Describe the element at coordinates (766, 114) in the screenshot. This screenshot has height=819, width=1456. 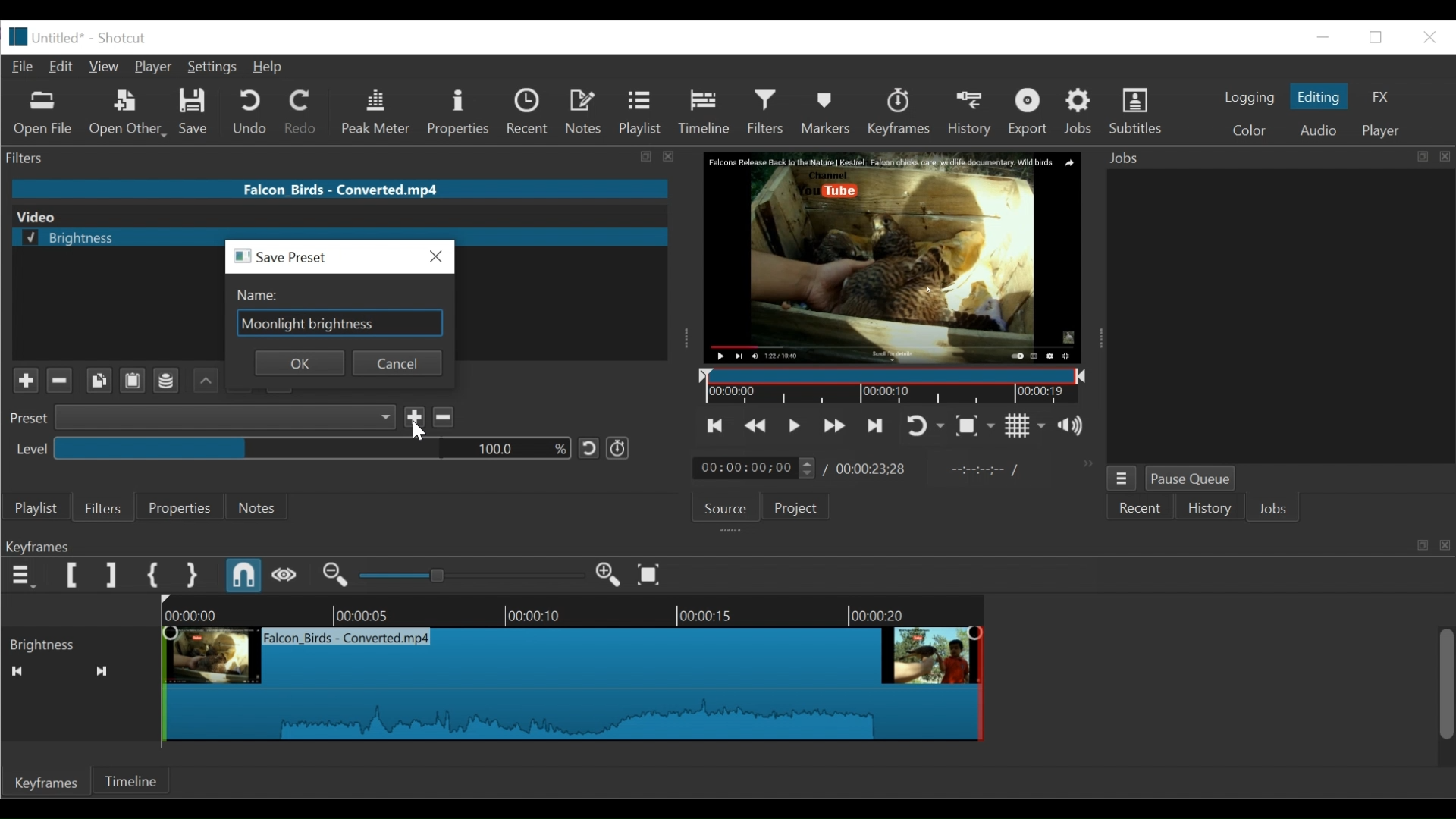
I see `Filters` at that location.